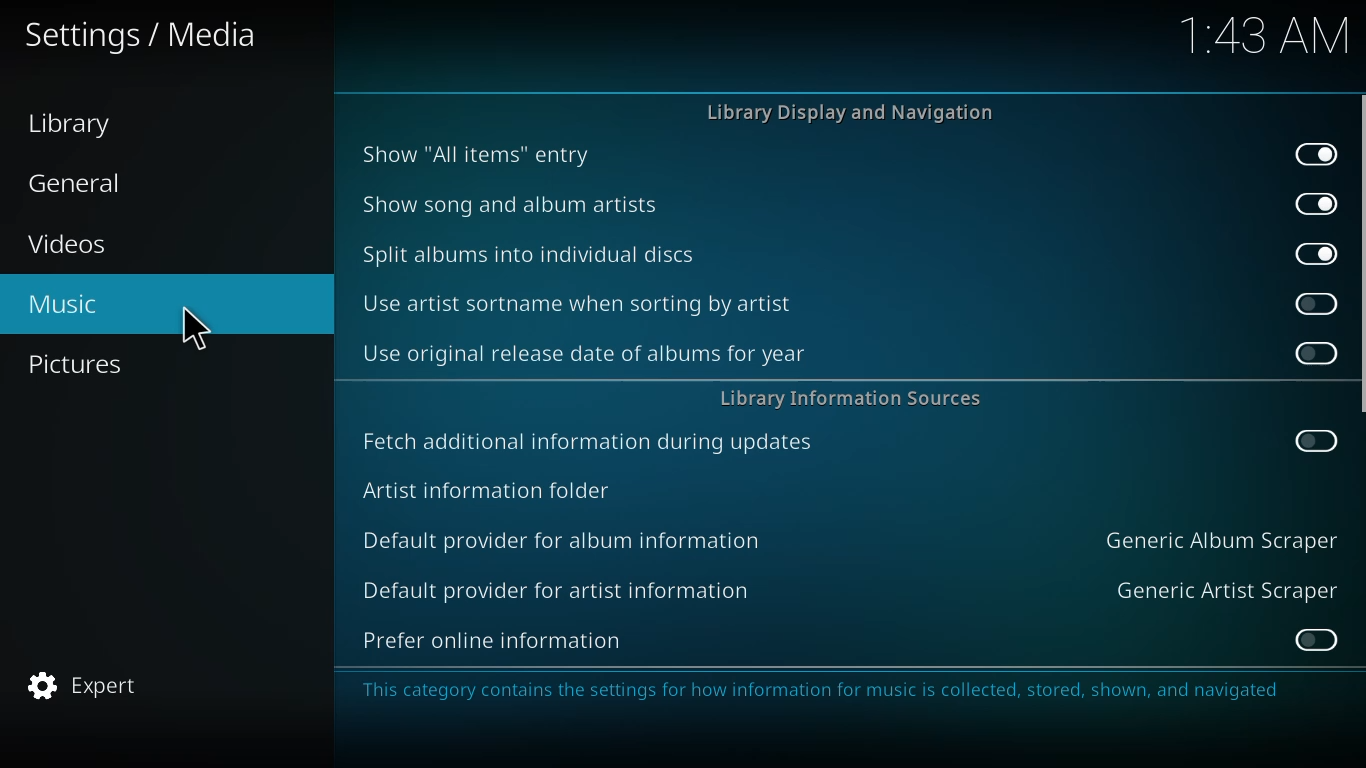 The image size is (1366, 768). I want to click on generic artist scraper, so click(1226, 589).